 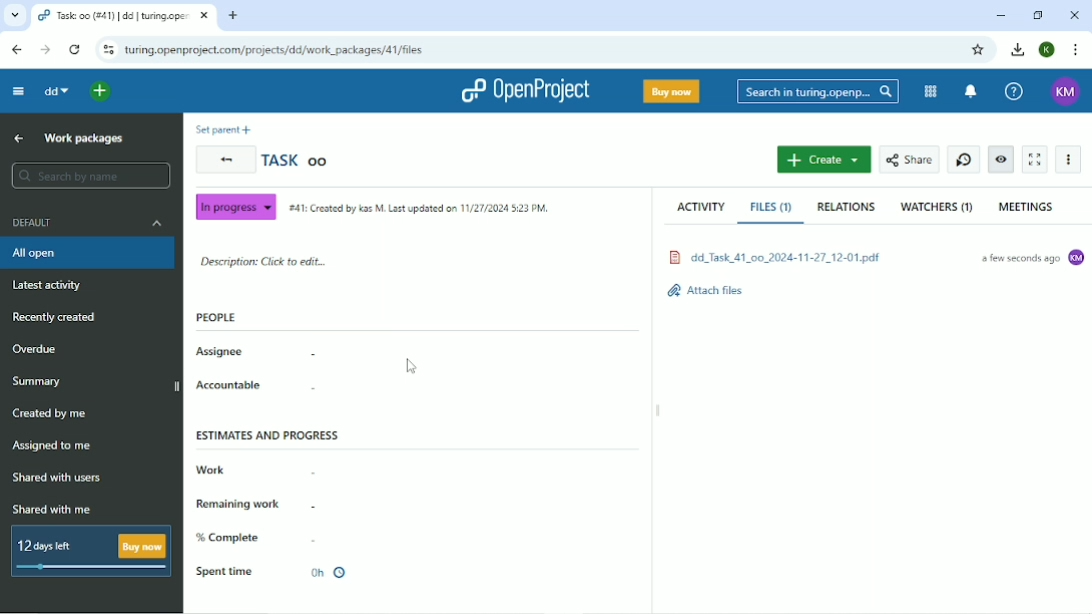 I want to click on Latest activity, so click(x=52, y=287).